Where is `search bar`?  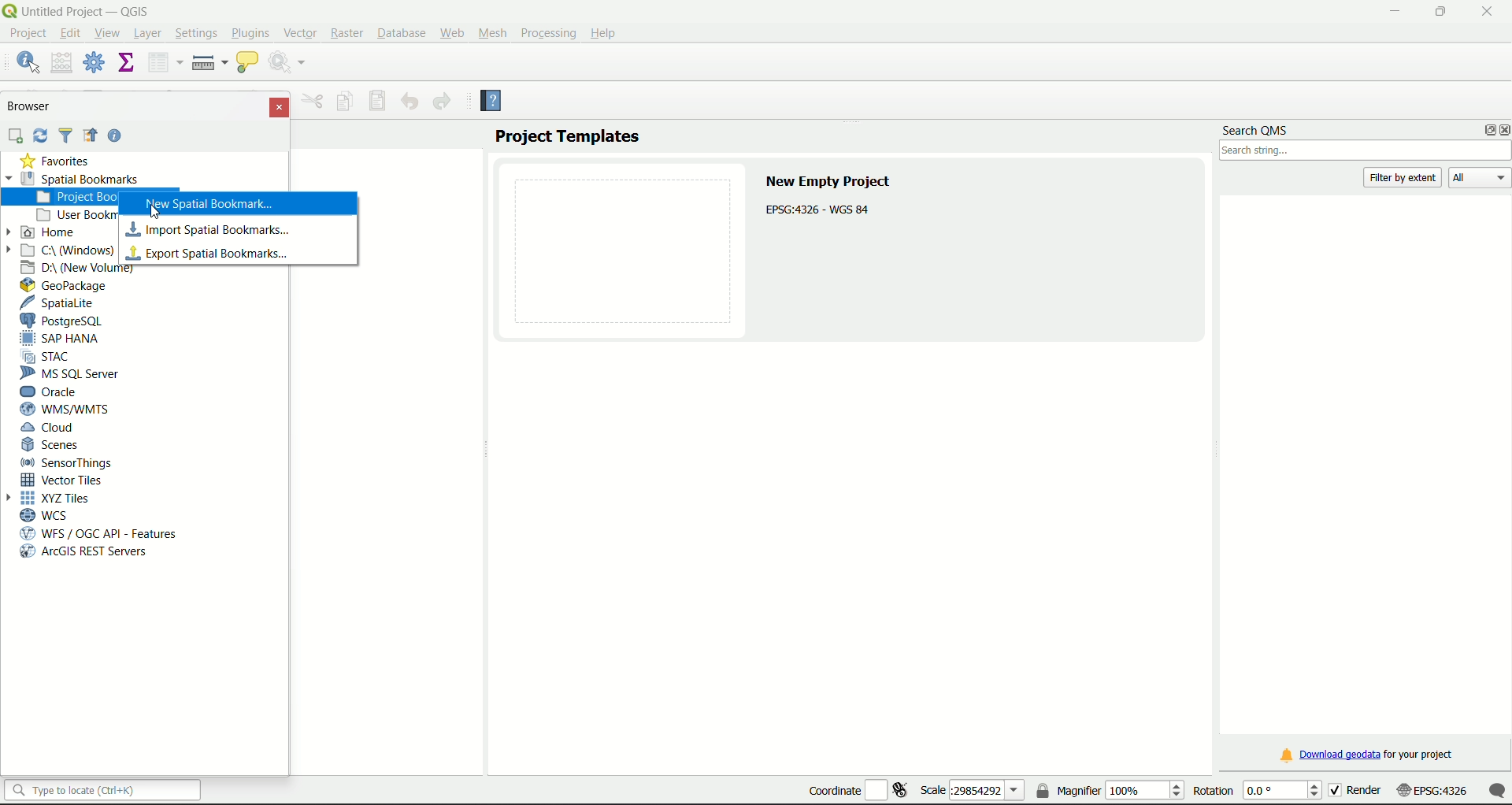
search bar is located at coordinates (103, 790).